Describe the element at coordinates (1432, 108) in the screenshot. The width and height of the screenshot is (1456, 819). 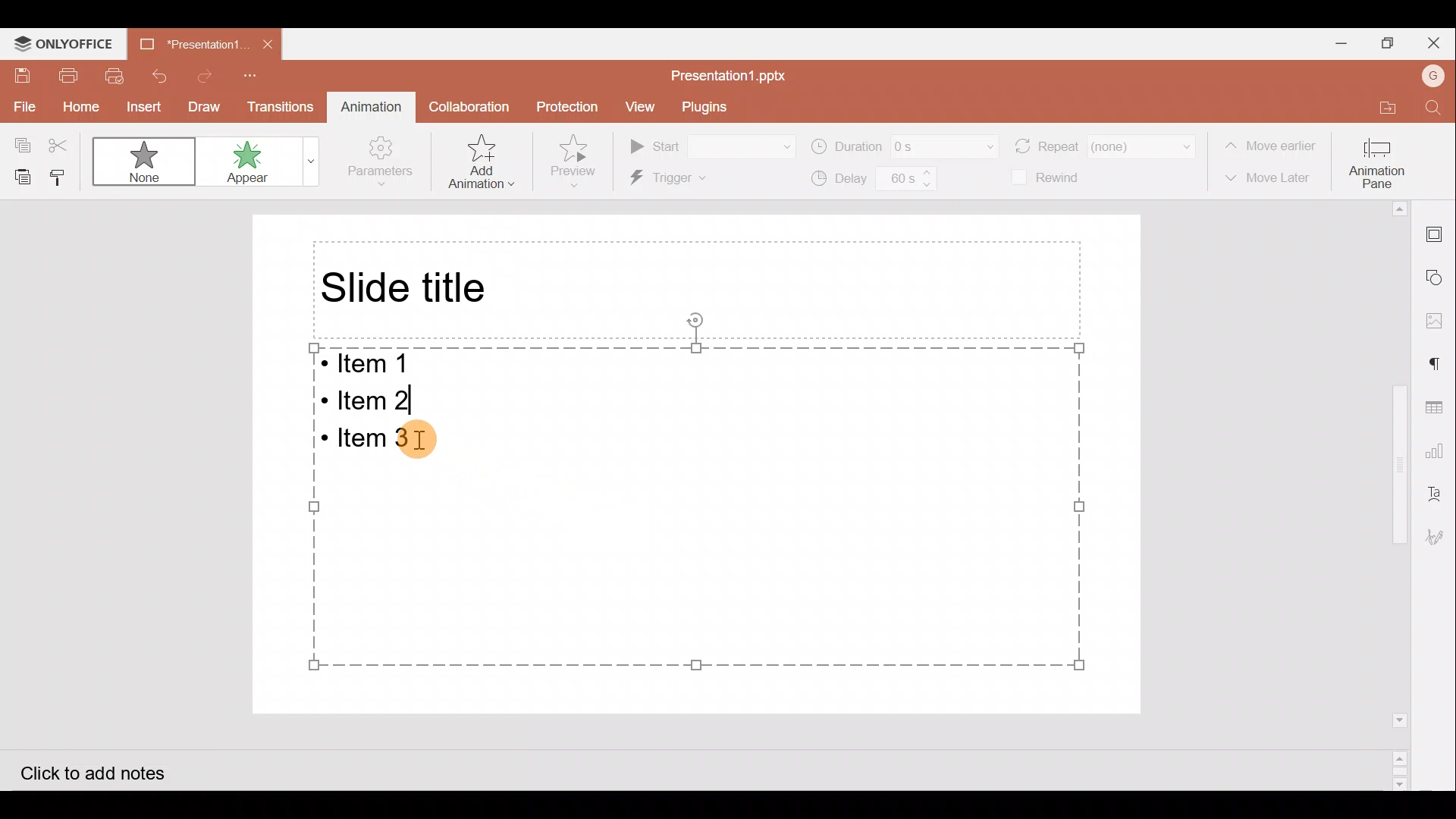
I see `Find` at that location.